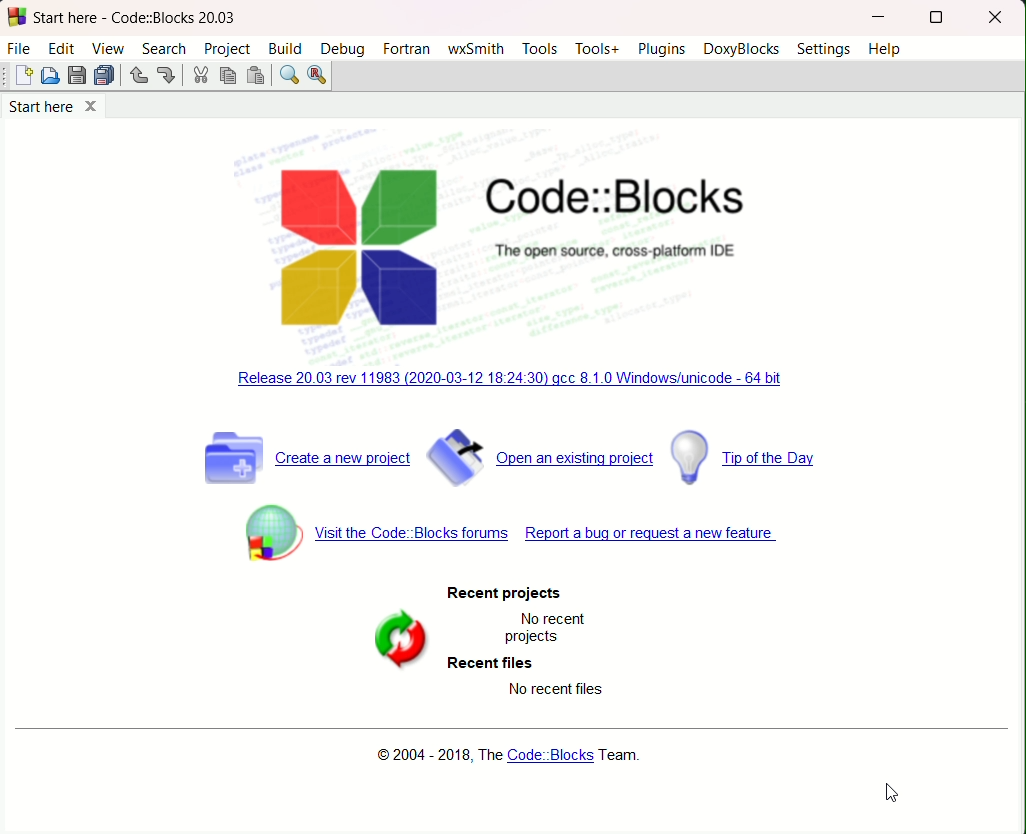 The image size is (1026, 834). What do you see at coordinates (886, 49) in the screenshot?
I see `help` at bounding box center [886, 49].